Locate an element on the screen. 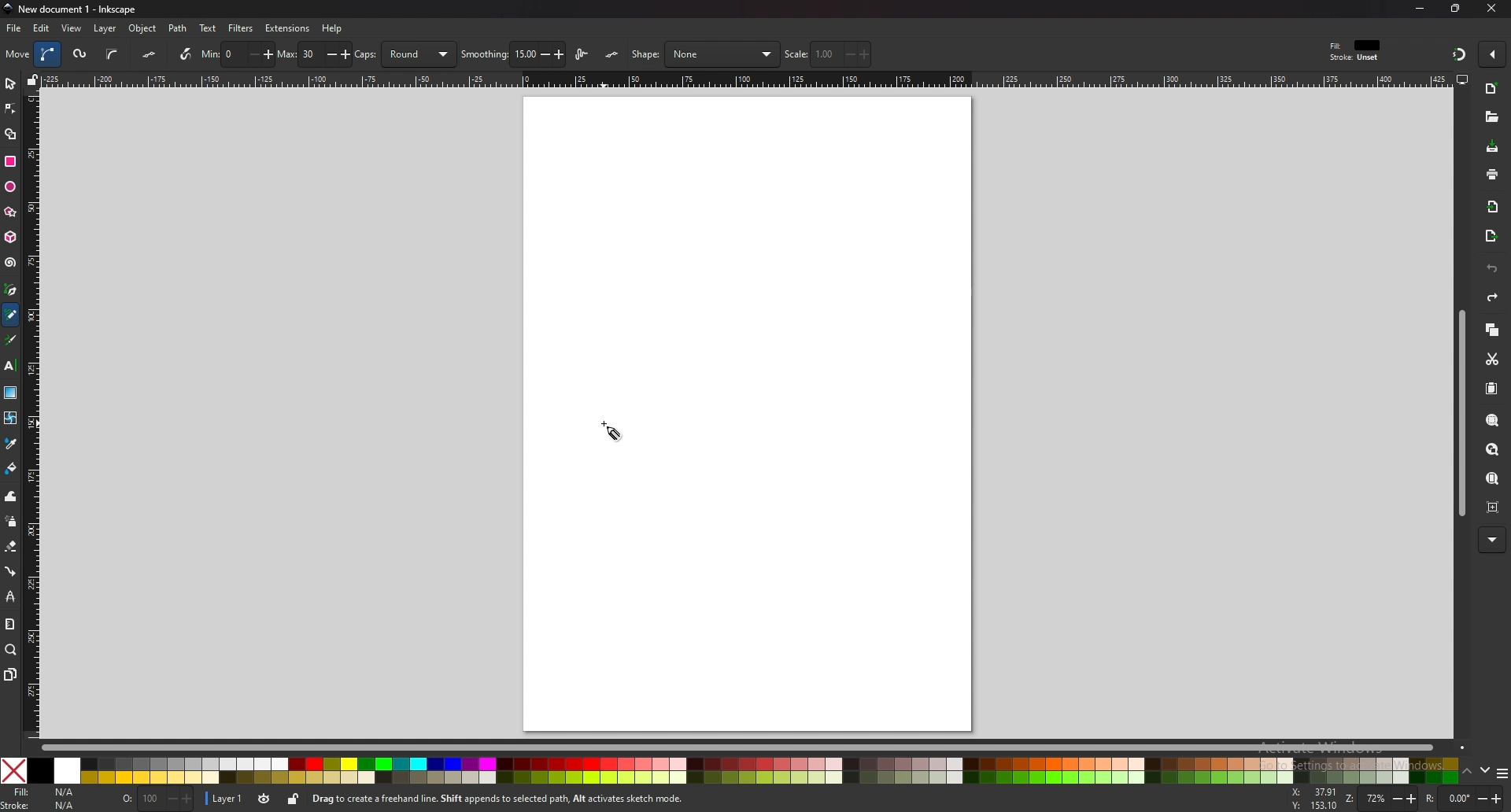 The image size is (1511, 812). rectangle is located at coordinates (10, 161).